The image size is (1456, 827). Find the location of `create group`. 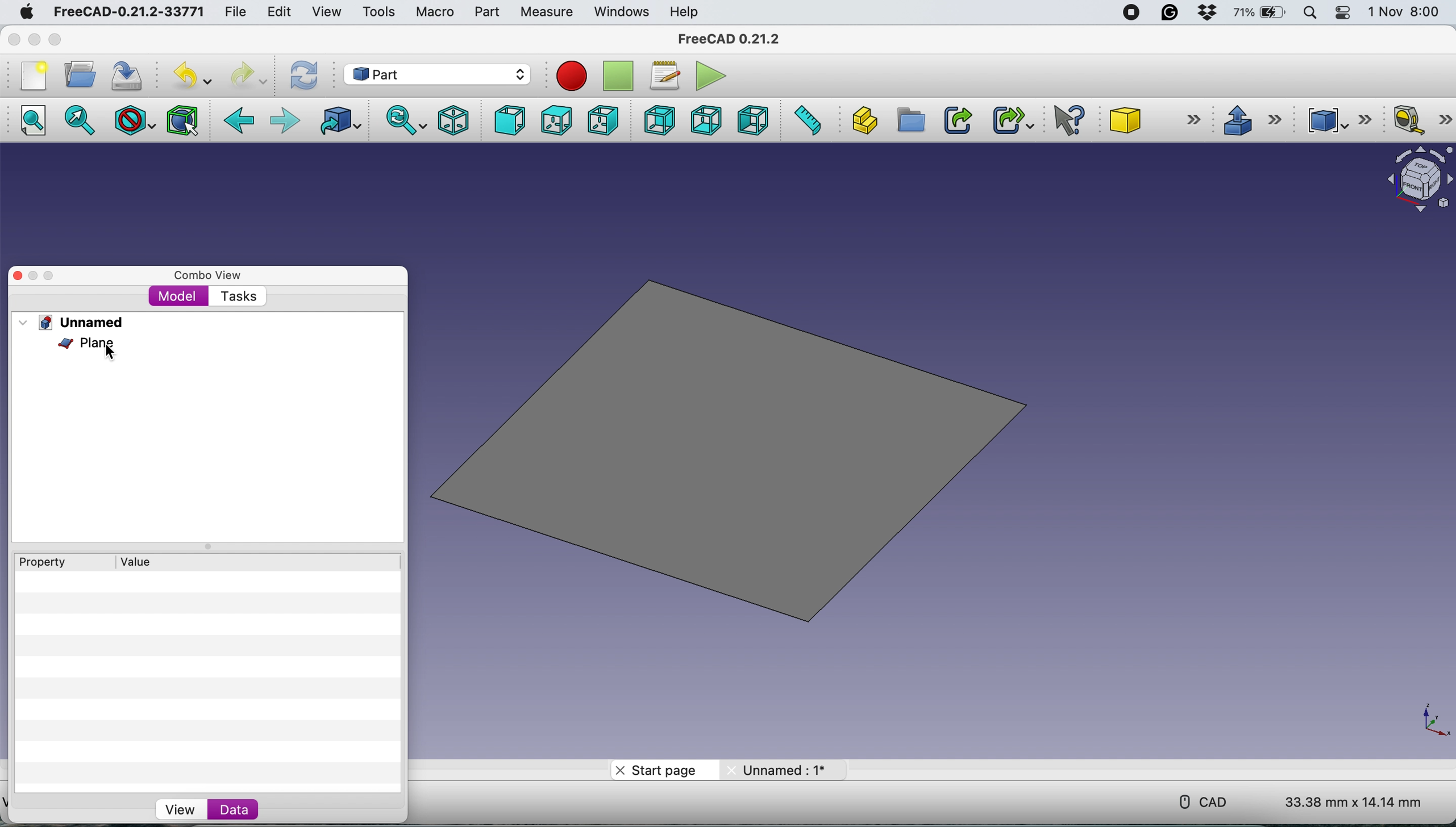

create group is located at coordinates (918, 120).